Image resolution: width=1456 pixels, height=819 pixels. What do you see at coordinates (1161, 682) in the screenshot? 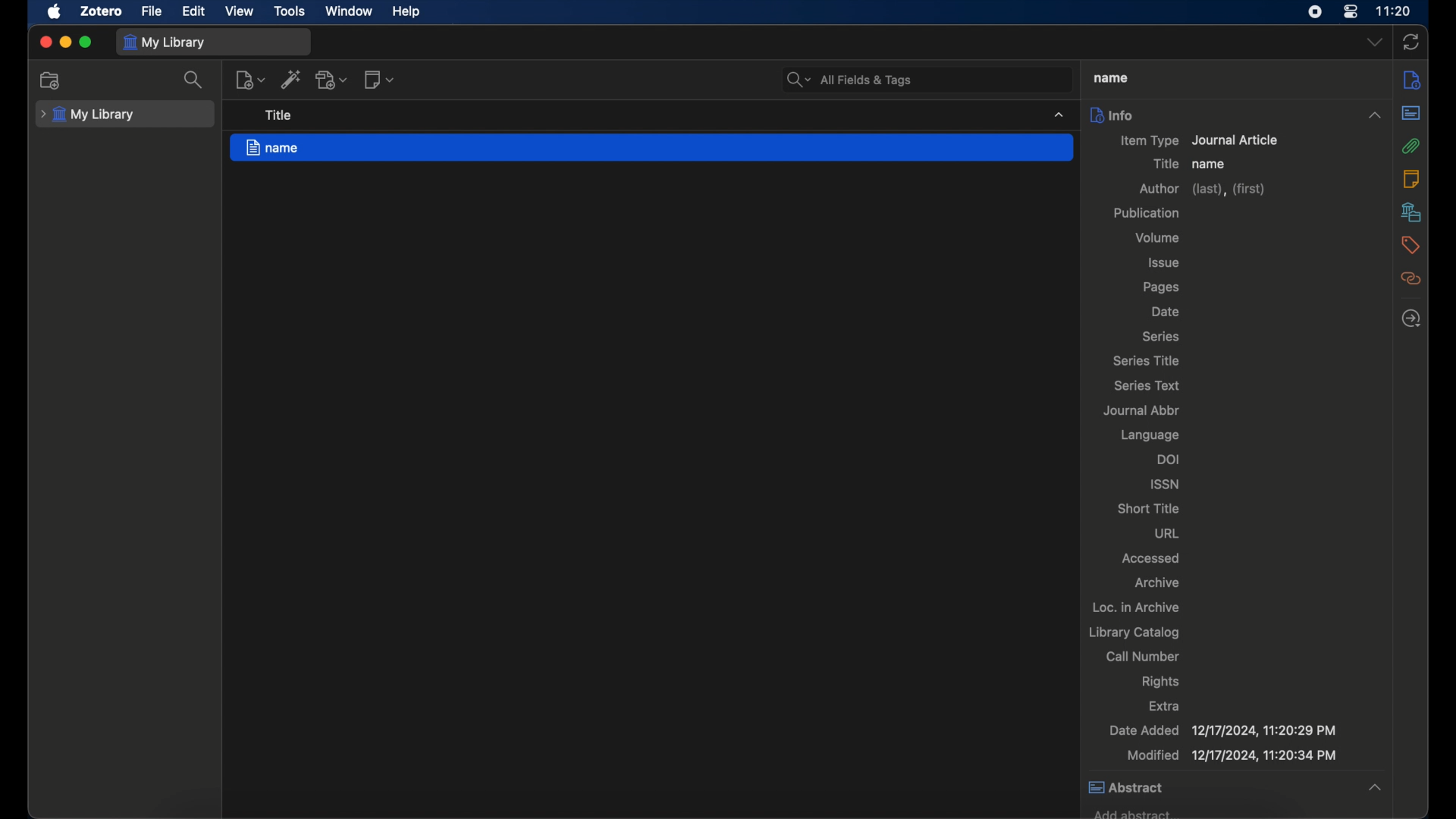
I see `rights` at bounding box center [1161, 682].